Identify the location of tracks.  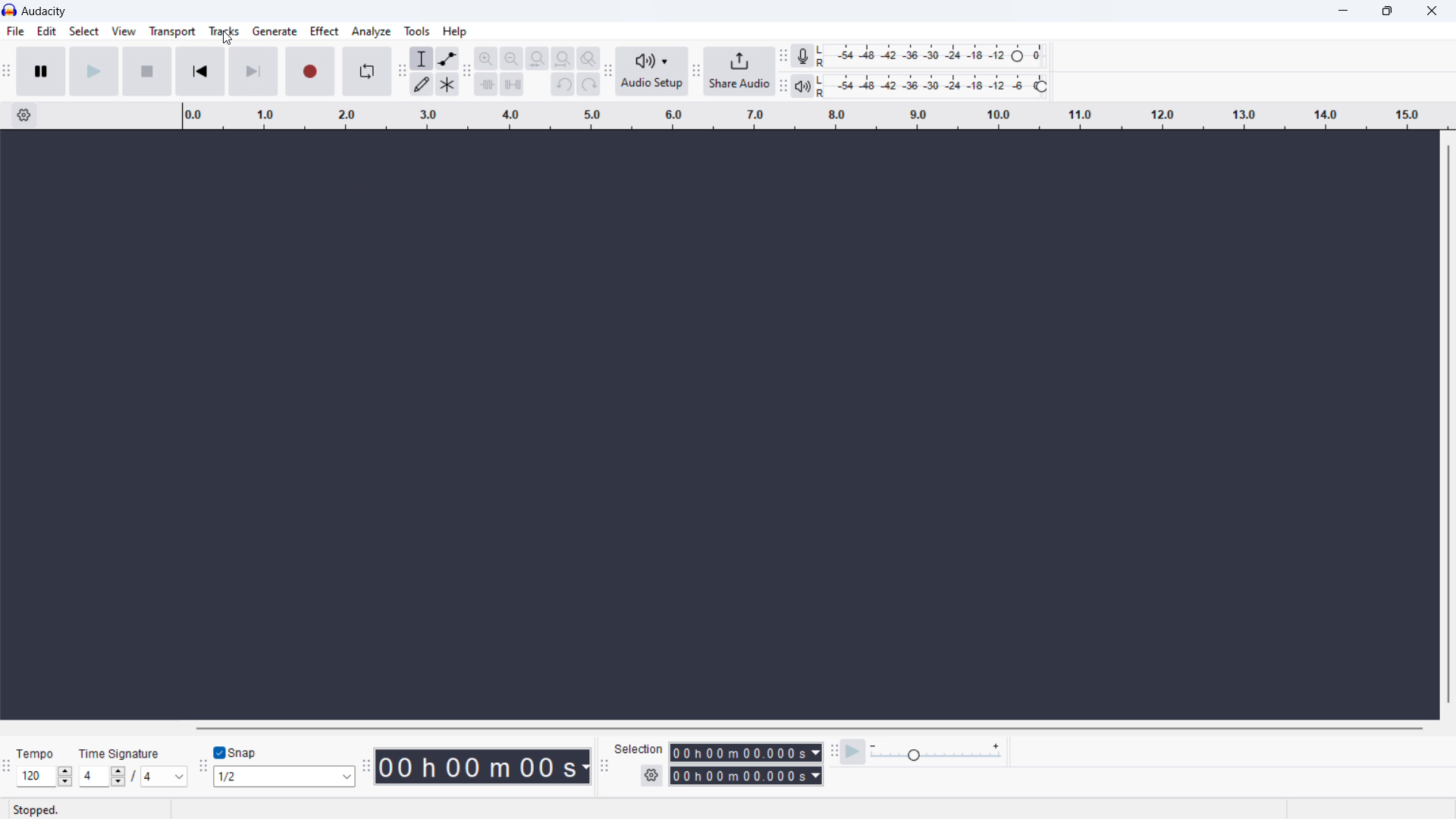
(224, 31).